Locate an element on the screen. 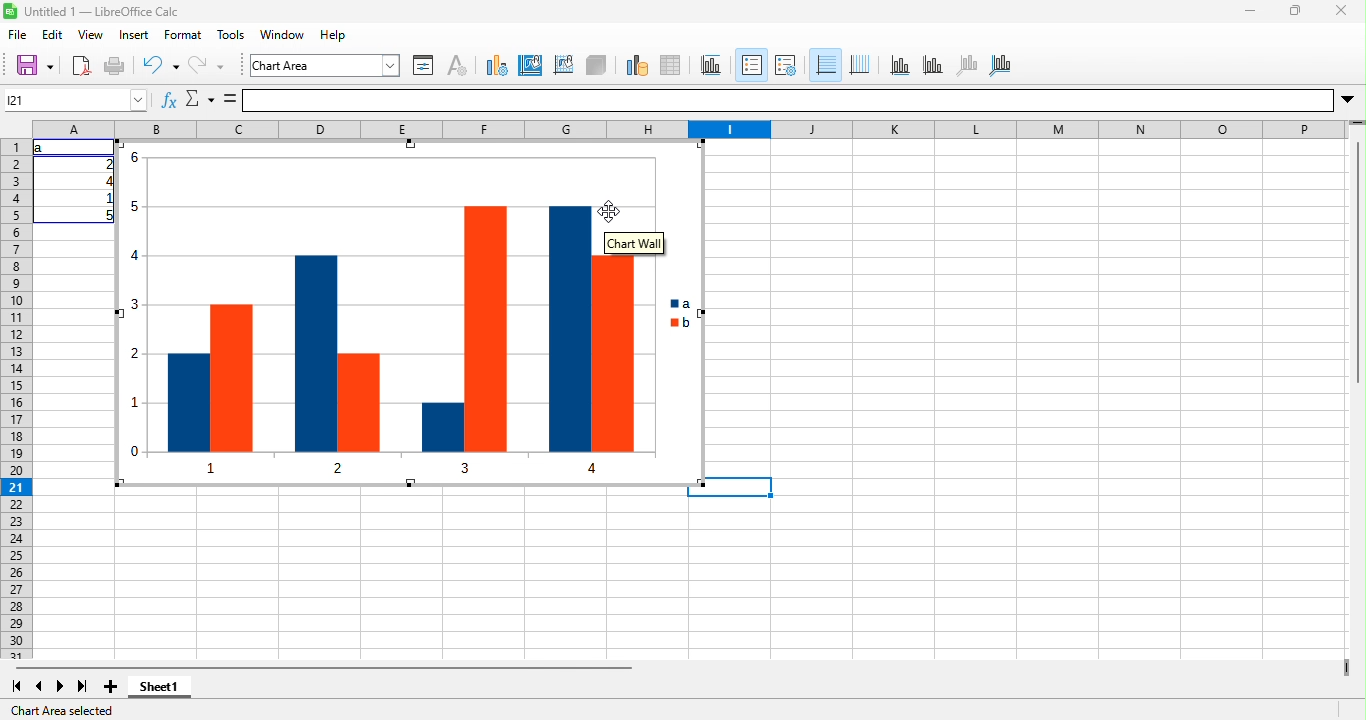  previous sheet is located at coordinates (38, 686).